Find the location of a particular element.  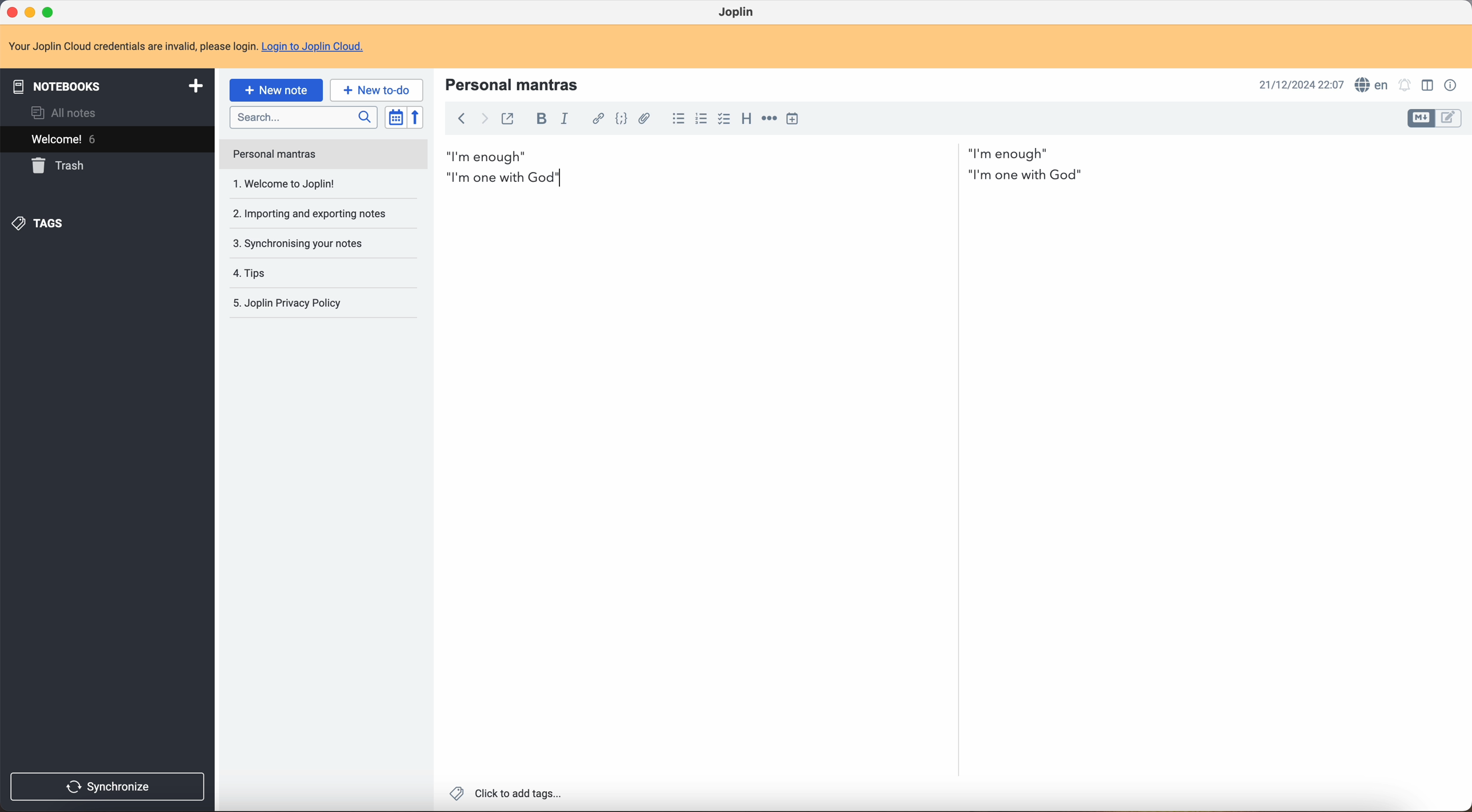

all notes is located at coordinates (62, 113).